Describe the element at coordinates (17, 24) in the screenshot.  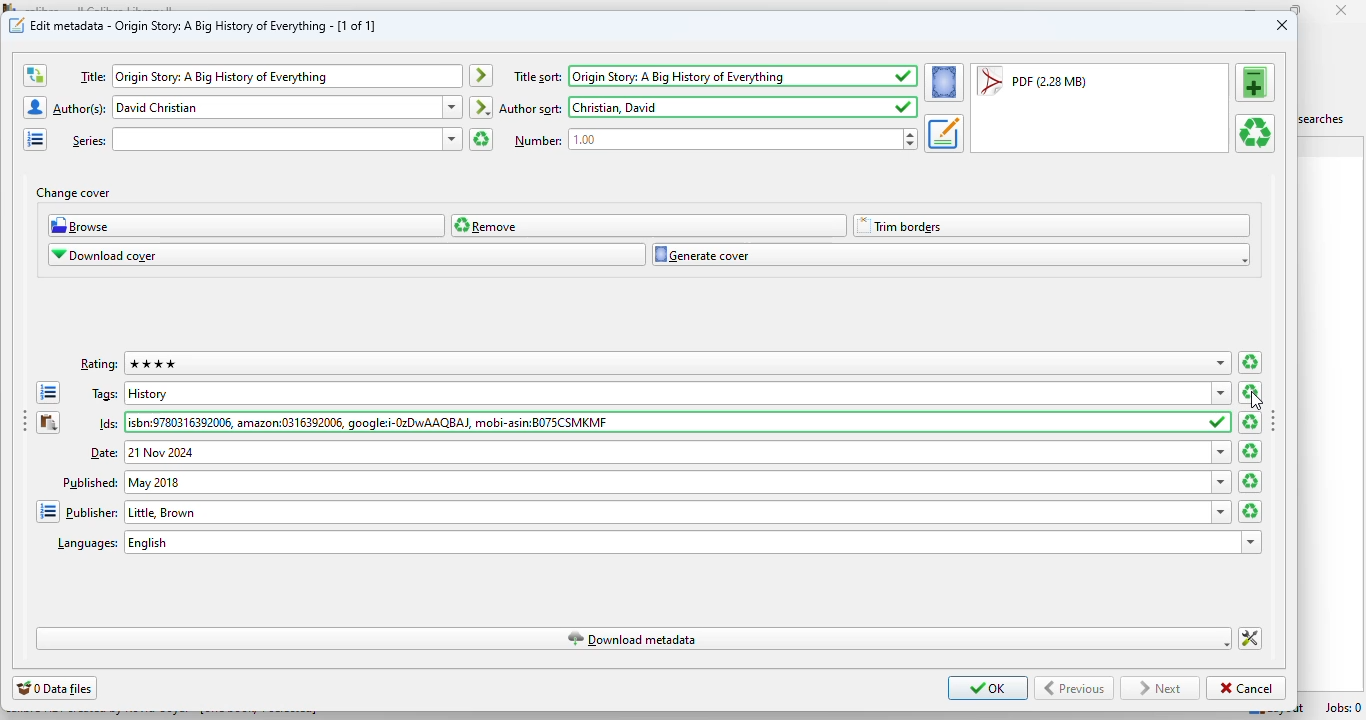
I see `logo` at that location.